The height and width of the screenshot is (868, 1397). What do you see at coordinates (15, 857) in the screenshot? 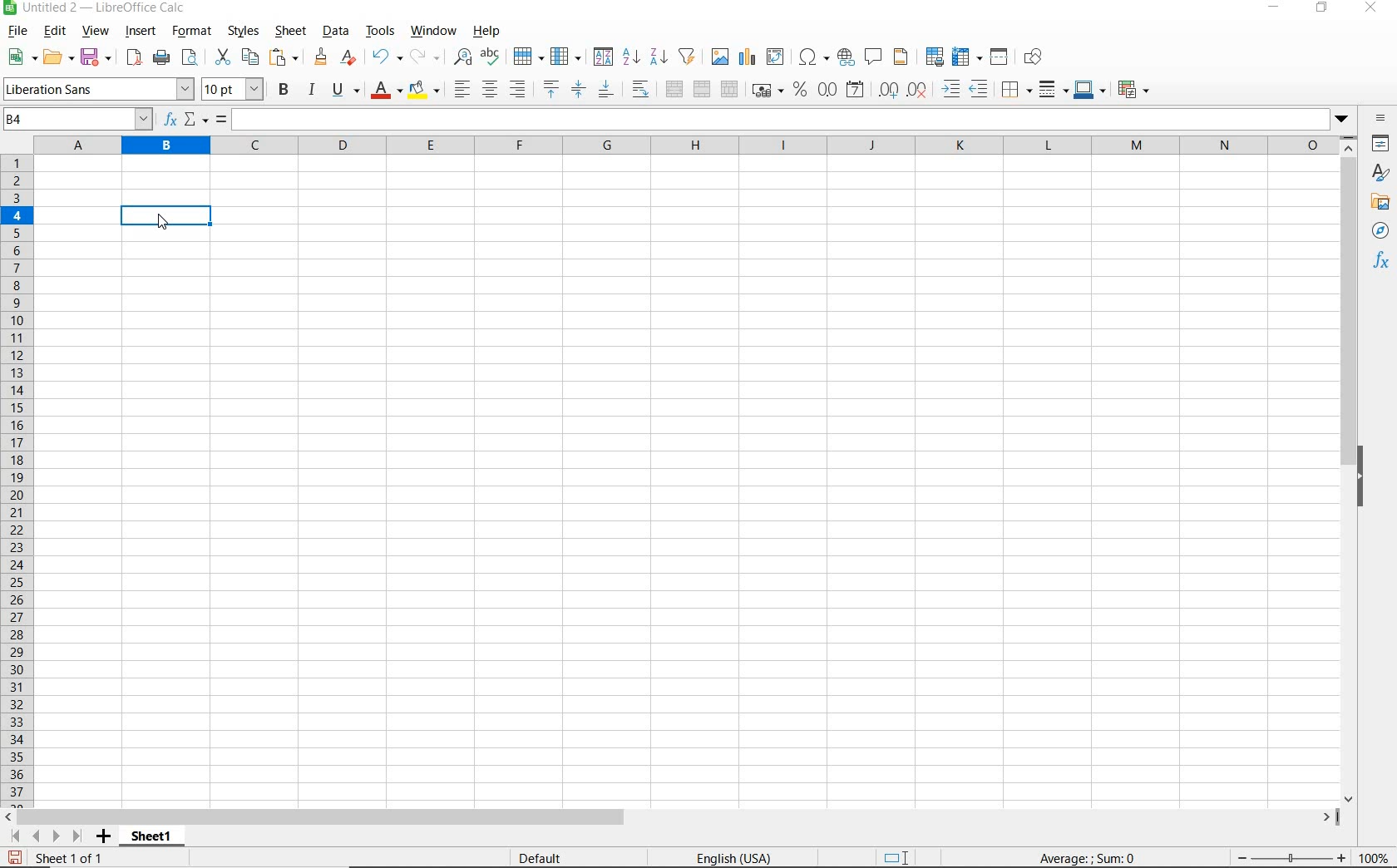
I see `save` at bounding box center [15, 857].